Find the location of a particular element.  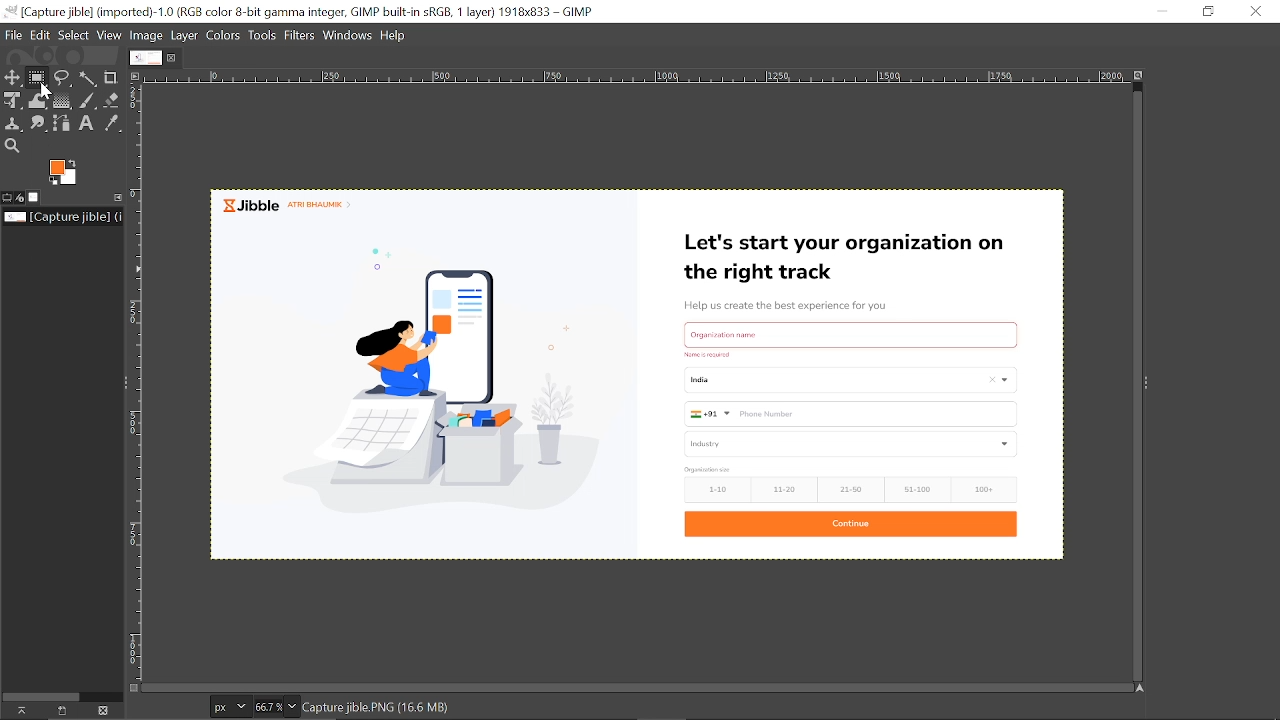

horizontal scroll bar is located at coordinates (639, 685).